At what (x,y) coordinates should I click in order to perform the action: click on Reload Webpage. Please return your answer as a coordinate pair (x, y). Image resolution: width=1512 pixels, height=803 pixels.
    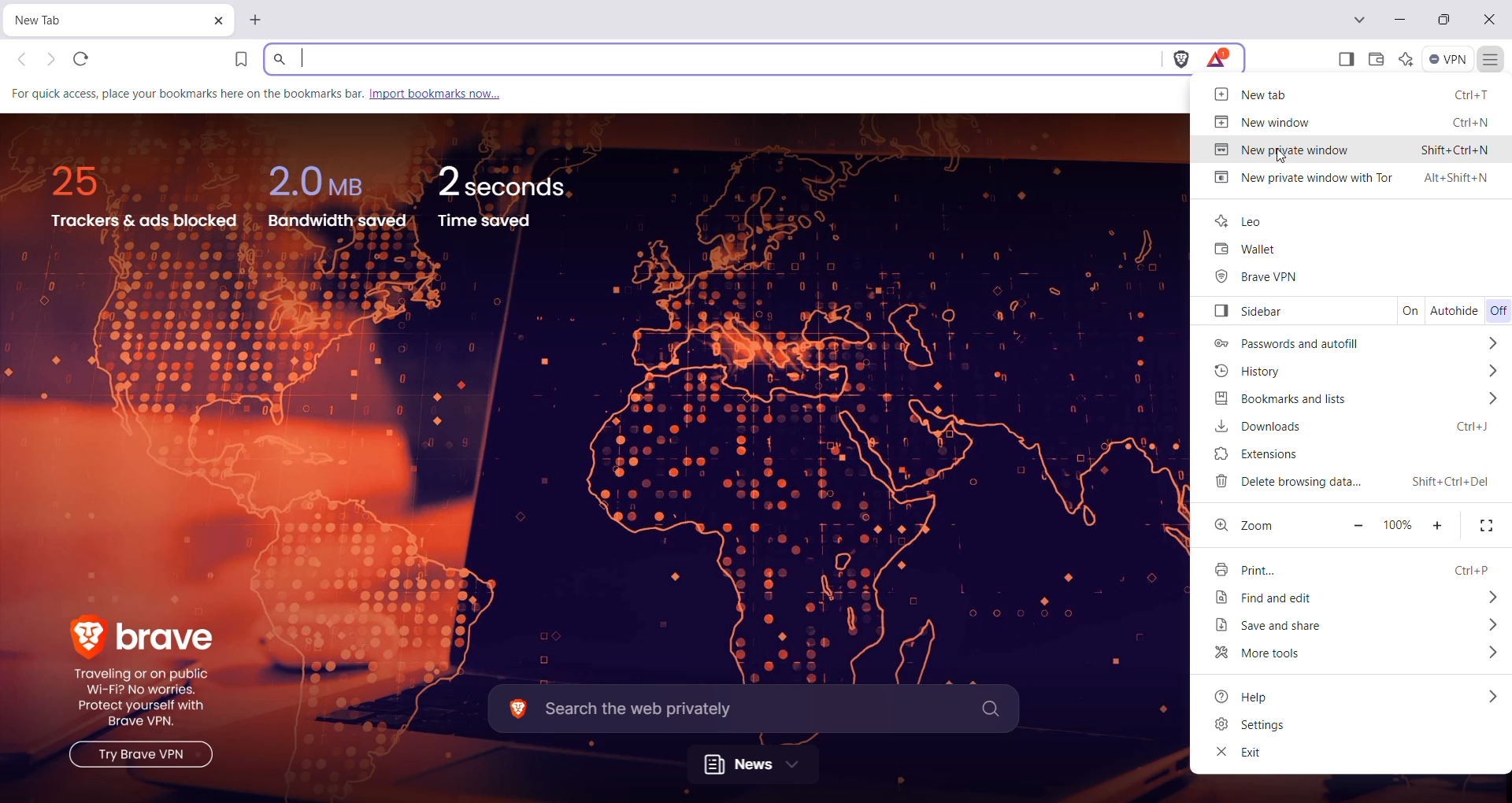
    Looking at the image, I should click on (82, 59).